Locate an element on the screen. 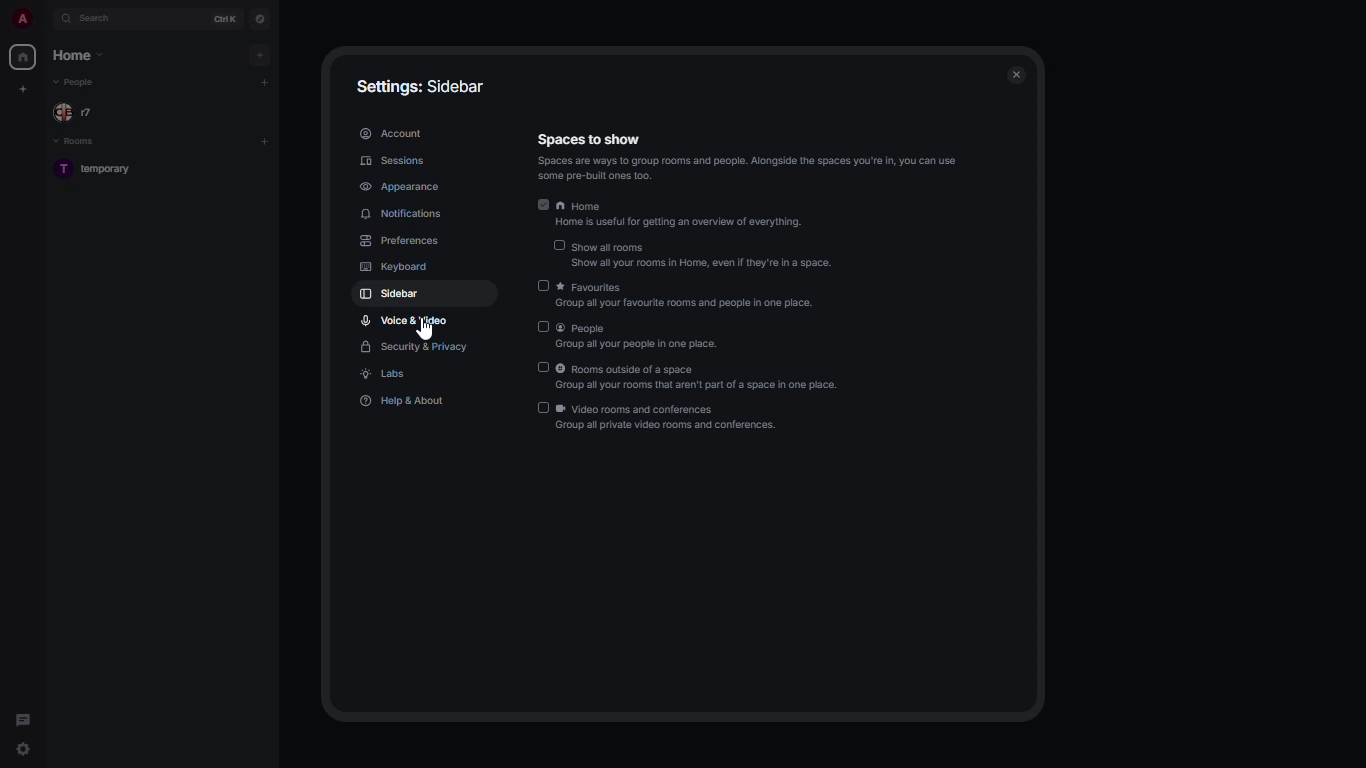 The width and height of the screenshot is (1366, 768). quick settings is located at coordinates (74, 750).